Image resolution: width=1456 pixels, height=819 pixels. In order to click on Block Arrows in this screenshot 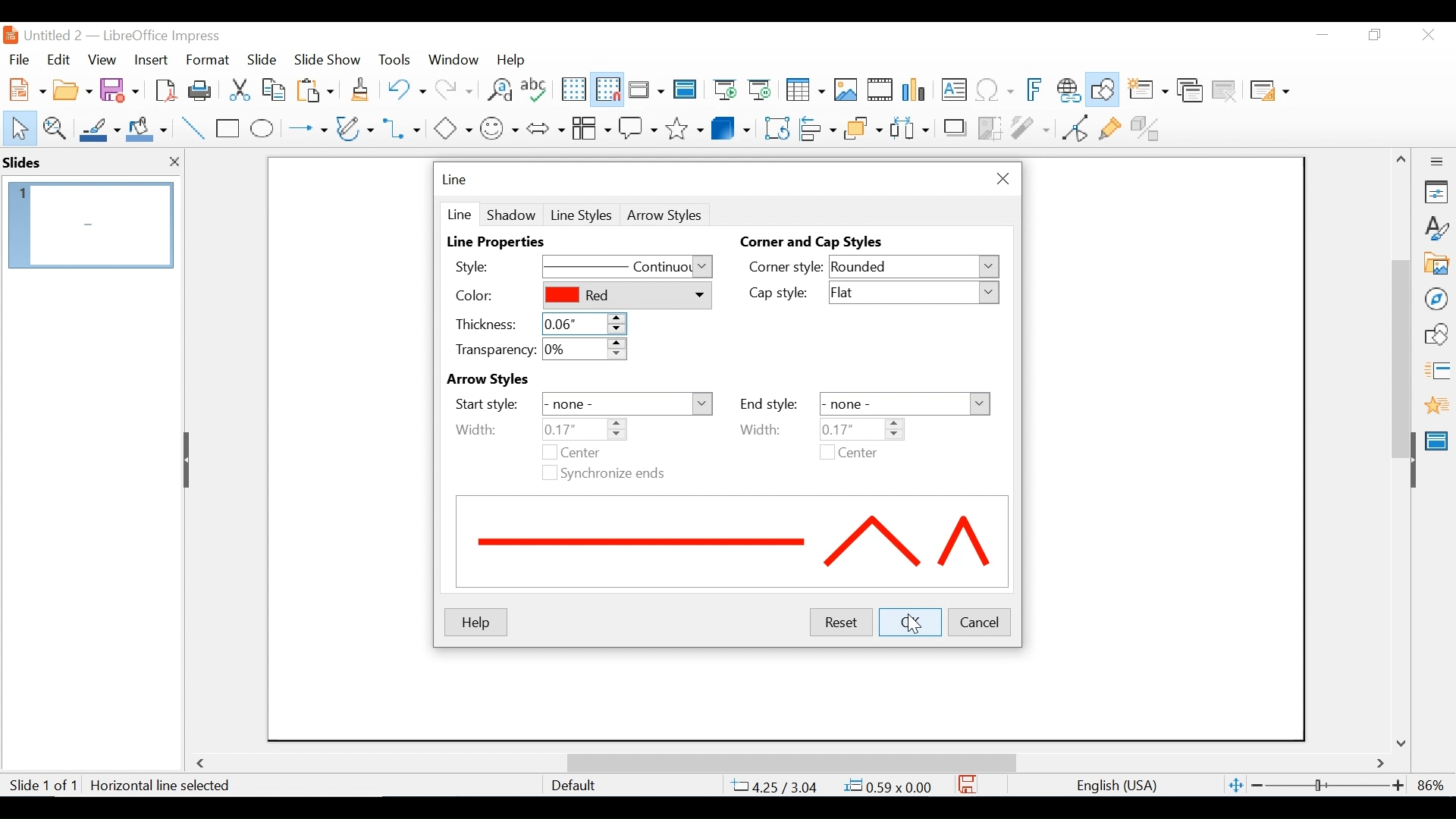, I will do `click(544, 127)`.